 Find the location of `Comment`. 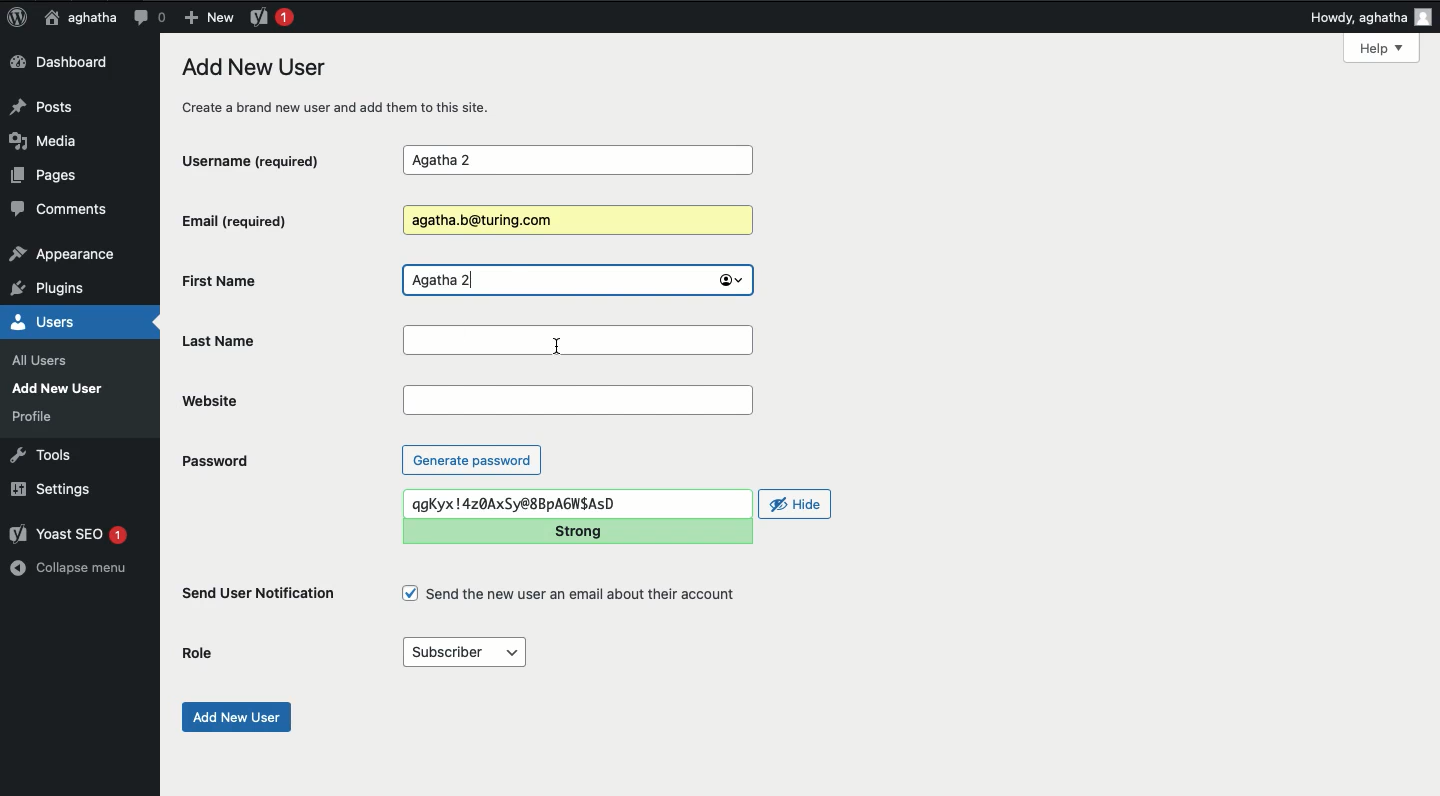

Comment is located at coordinates (149, 17).